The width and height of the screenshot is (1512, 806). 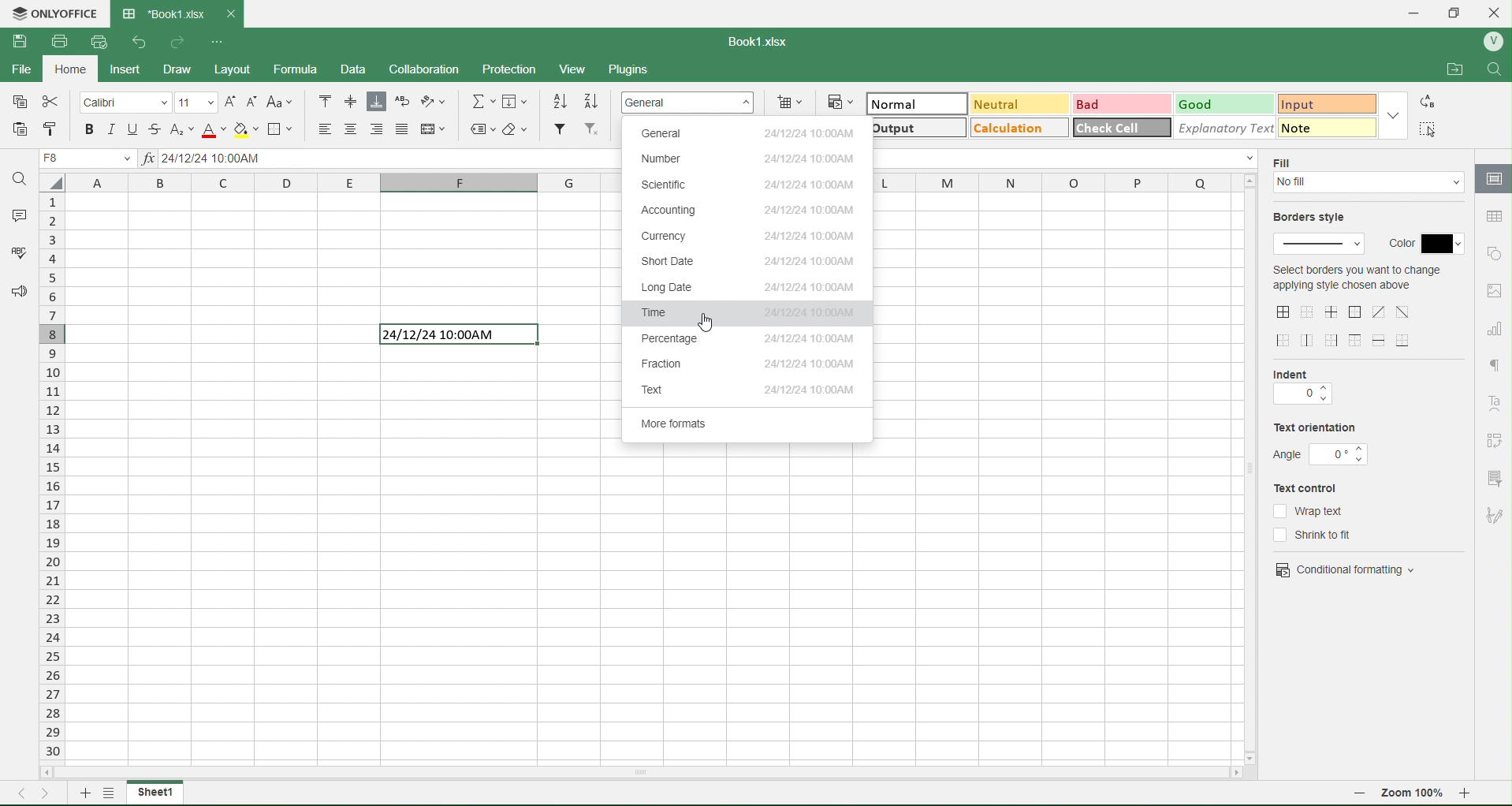 I want to click on Underline, so click(x=131, y=129).